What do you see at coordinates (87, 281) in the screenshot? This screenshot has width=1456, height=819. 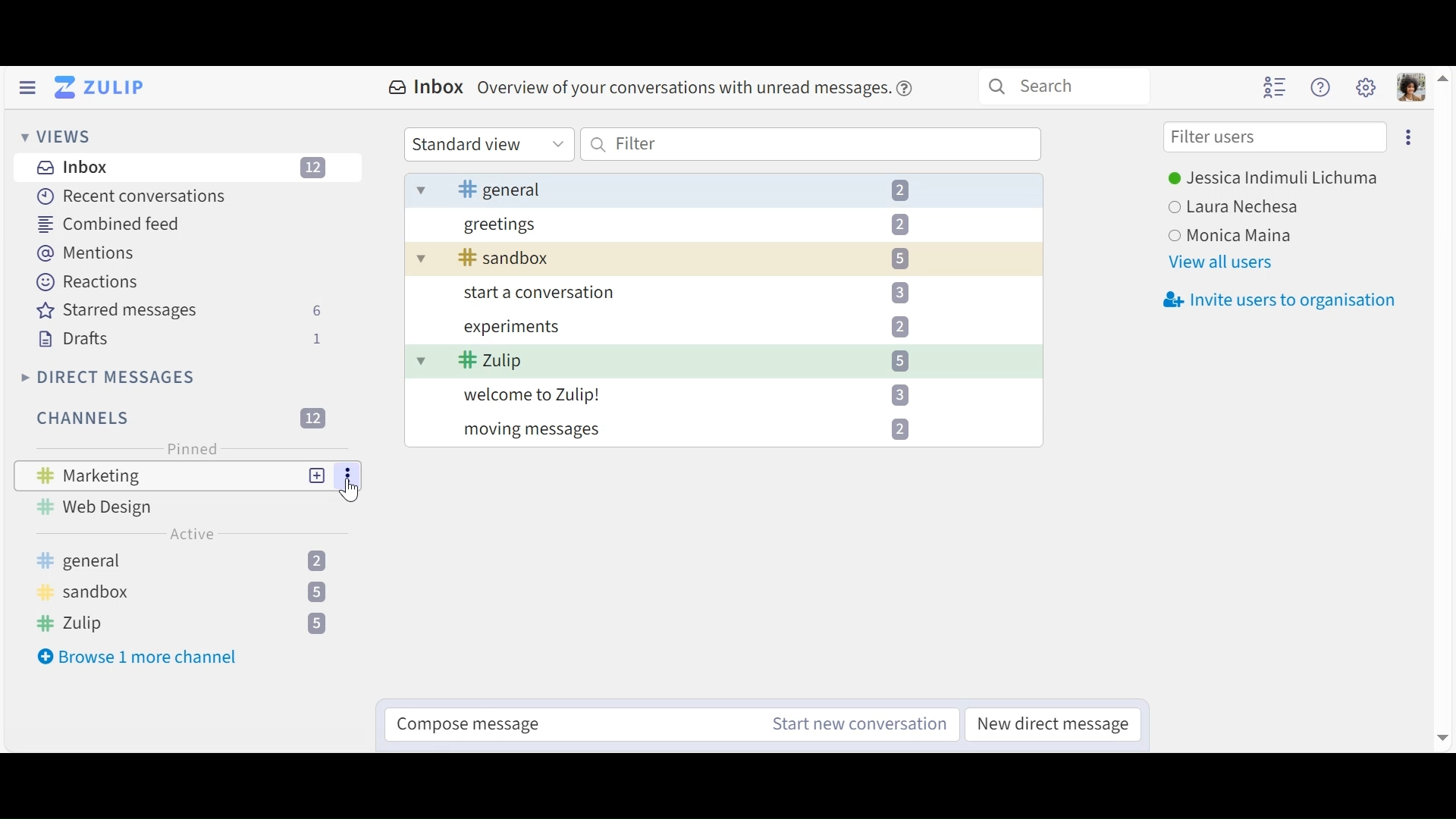 I see `Reaction` at bounding box center [87, 281].